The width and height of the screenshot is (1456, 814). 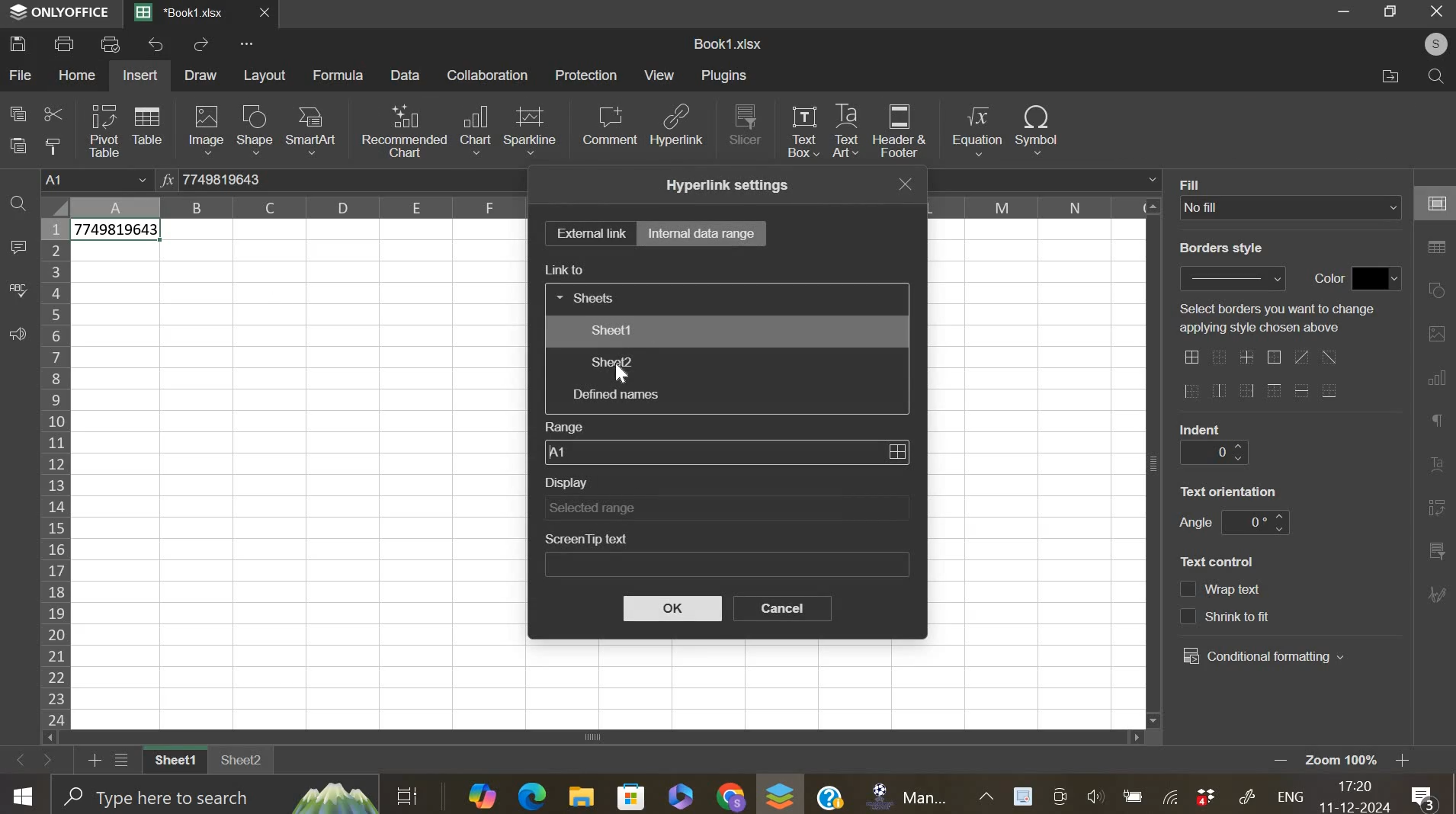 I want to click on draw, so click(x=201, y=75).